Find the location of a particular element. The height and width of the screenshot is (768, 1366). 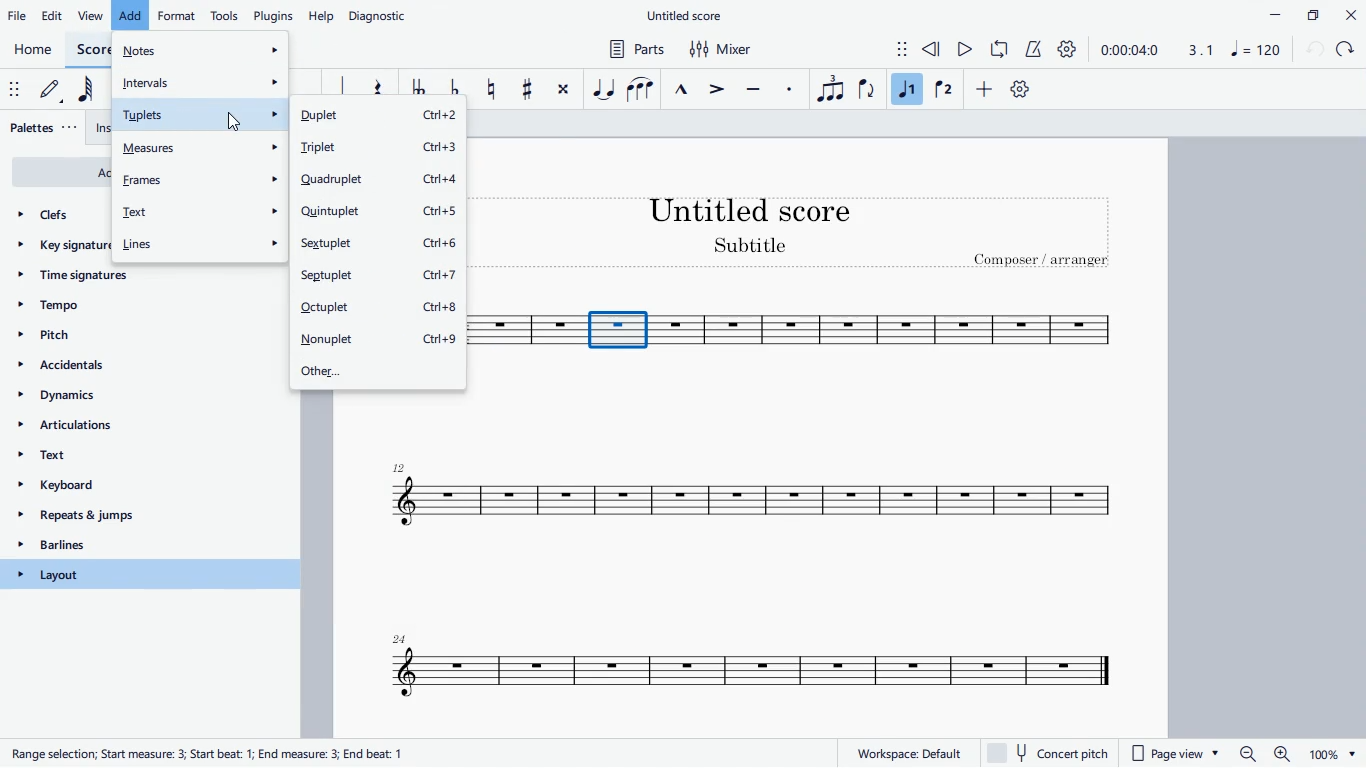

default is located at coordinates (54, 93).